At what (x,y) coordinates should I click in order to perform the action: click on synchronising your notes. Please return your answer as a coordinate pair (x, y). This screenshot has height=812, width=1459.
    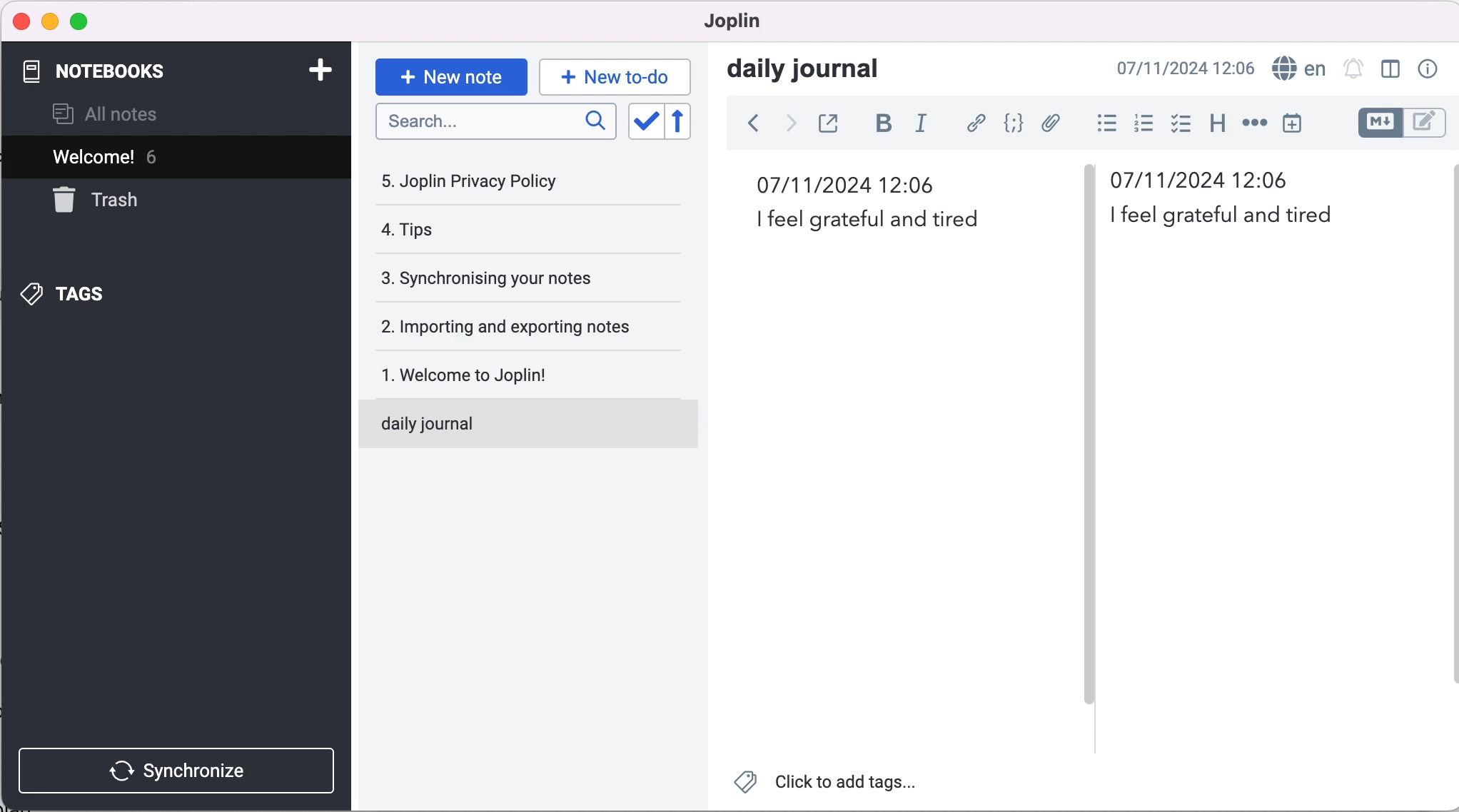
    Looking at the image, I should click on (508, 278).